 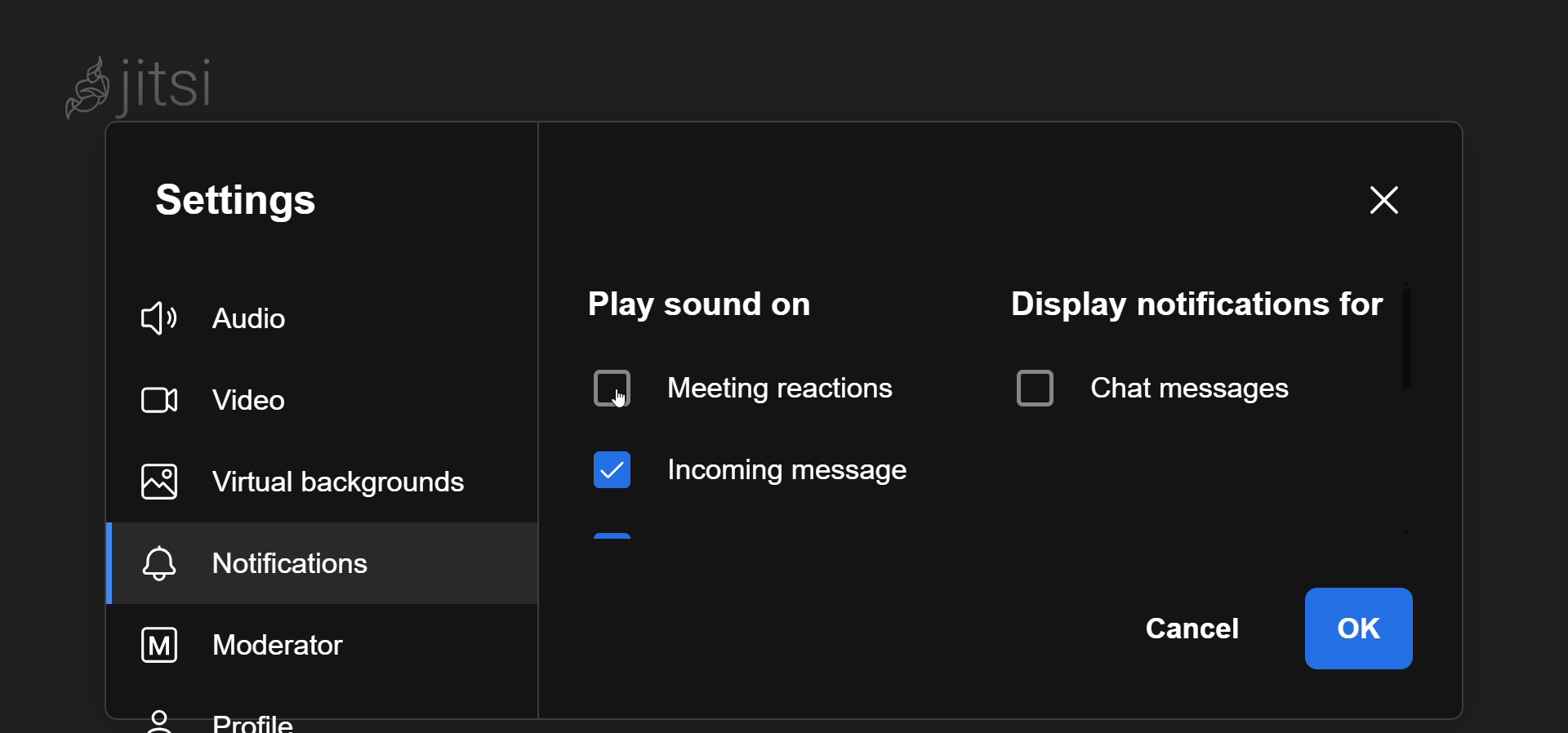 What do you see at coordinates (251, 717) in the screenshot?
I see `profile` at bounding box center [251, 717].